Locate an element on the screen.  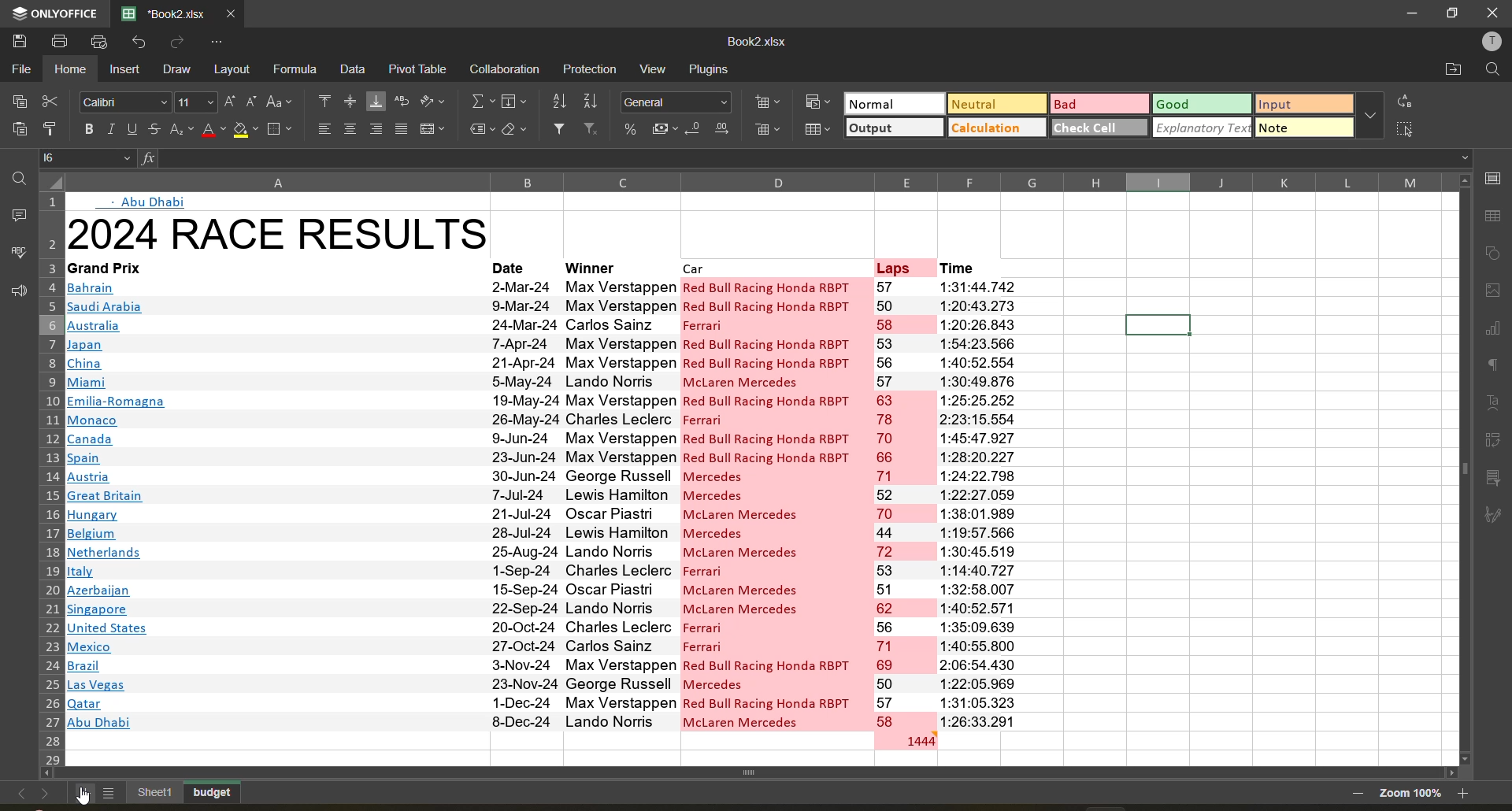
orientation is located at coordinates (432, 102).